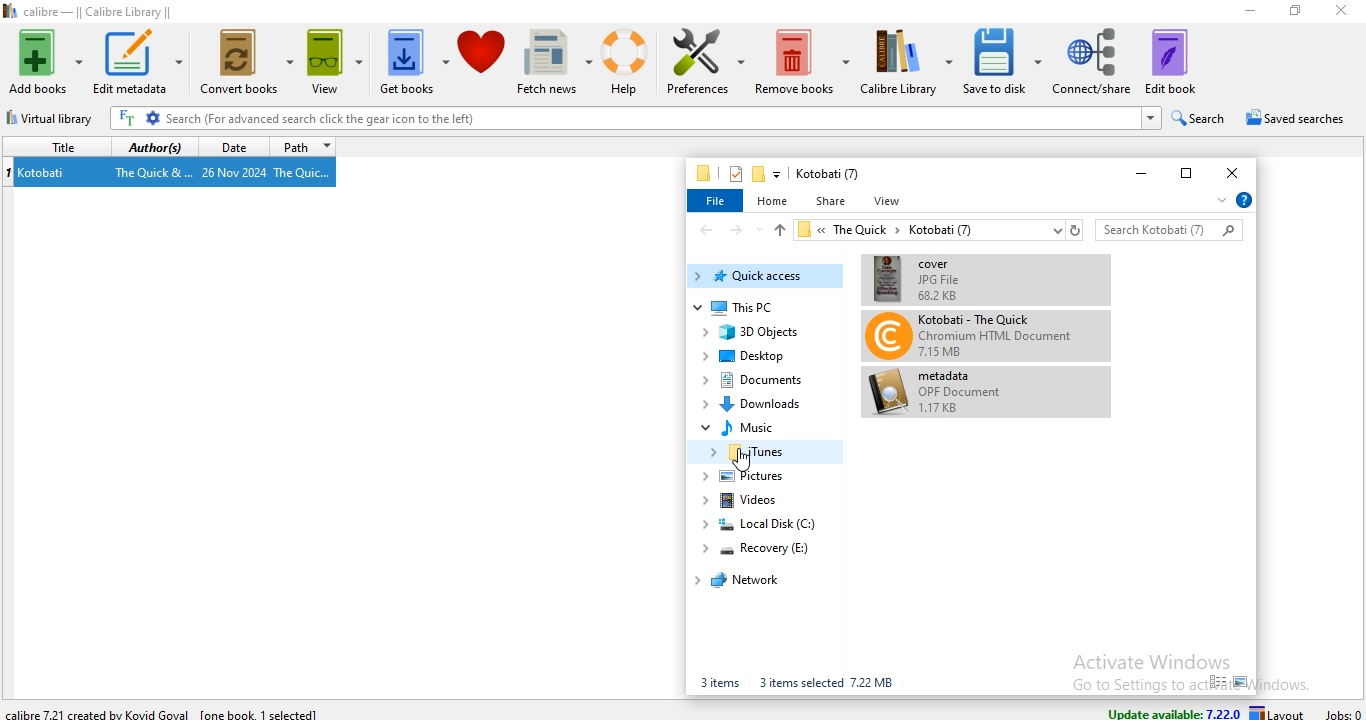 The width and height of the screenshot is (1366, 720). What do you see at coordinates (1293, 118) in the screenshot?
I see ` saved searches` at bounding box center [1293, 118].